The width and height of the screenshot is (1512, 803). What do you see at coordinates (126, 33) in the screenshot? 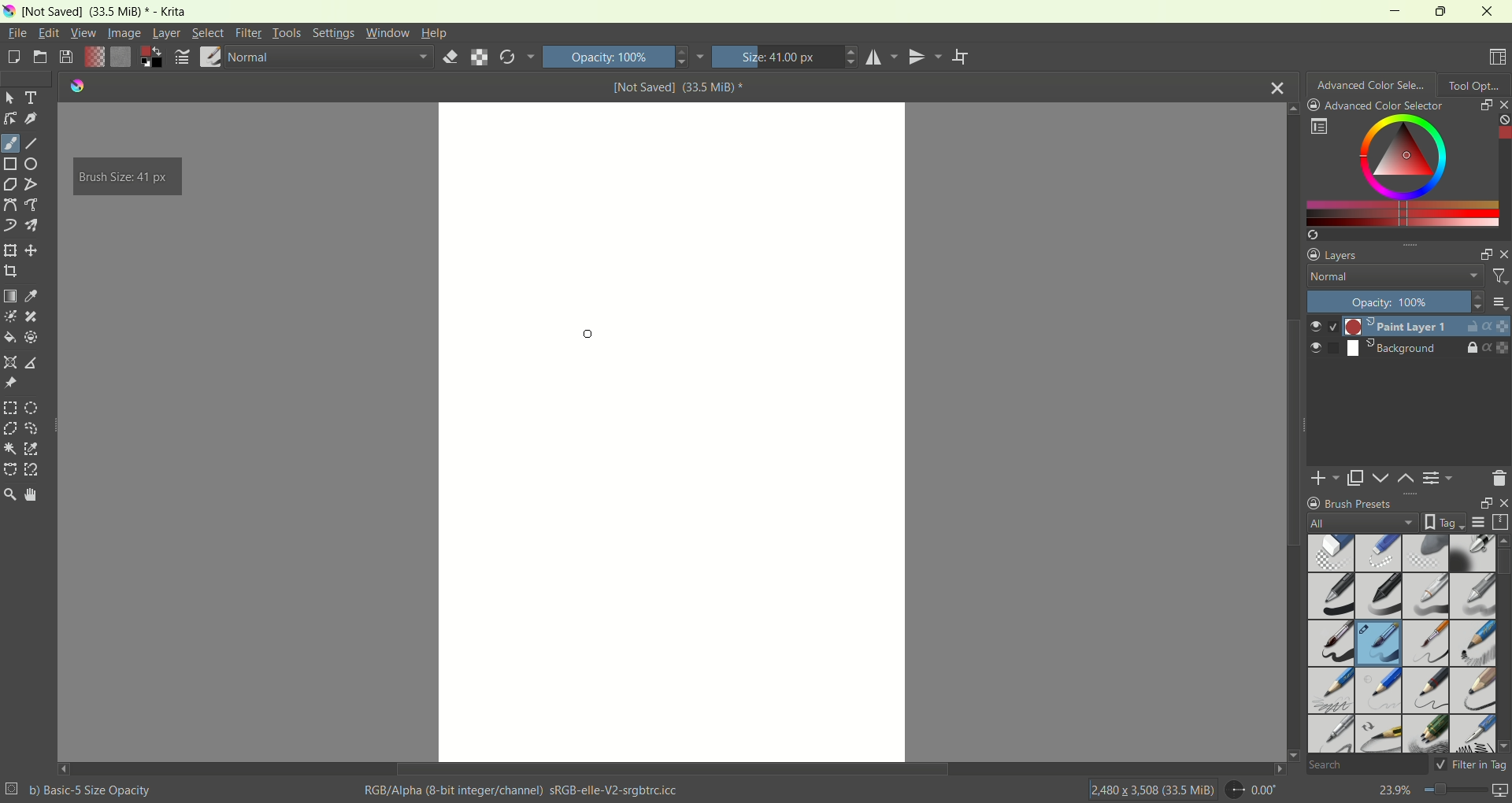
I see `image` at bounding box center [126, 33].